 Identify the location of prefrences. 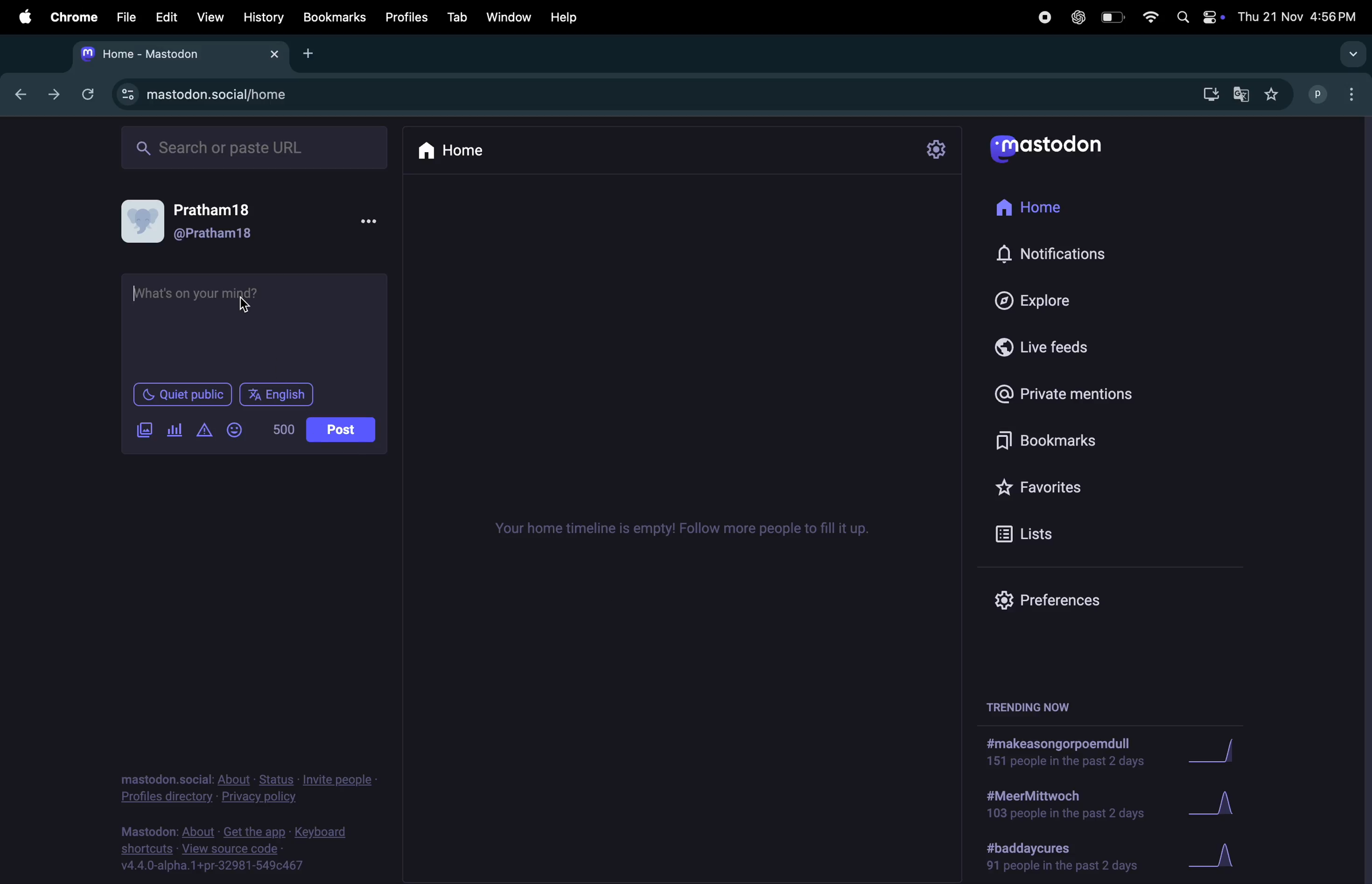
(1057, 598).